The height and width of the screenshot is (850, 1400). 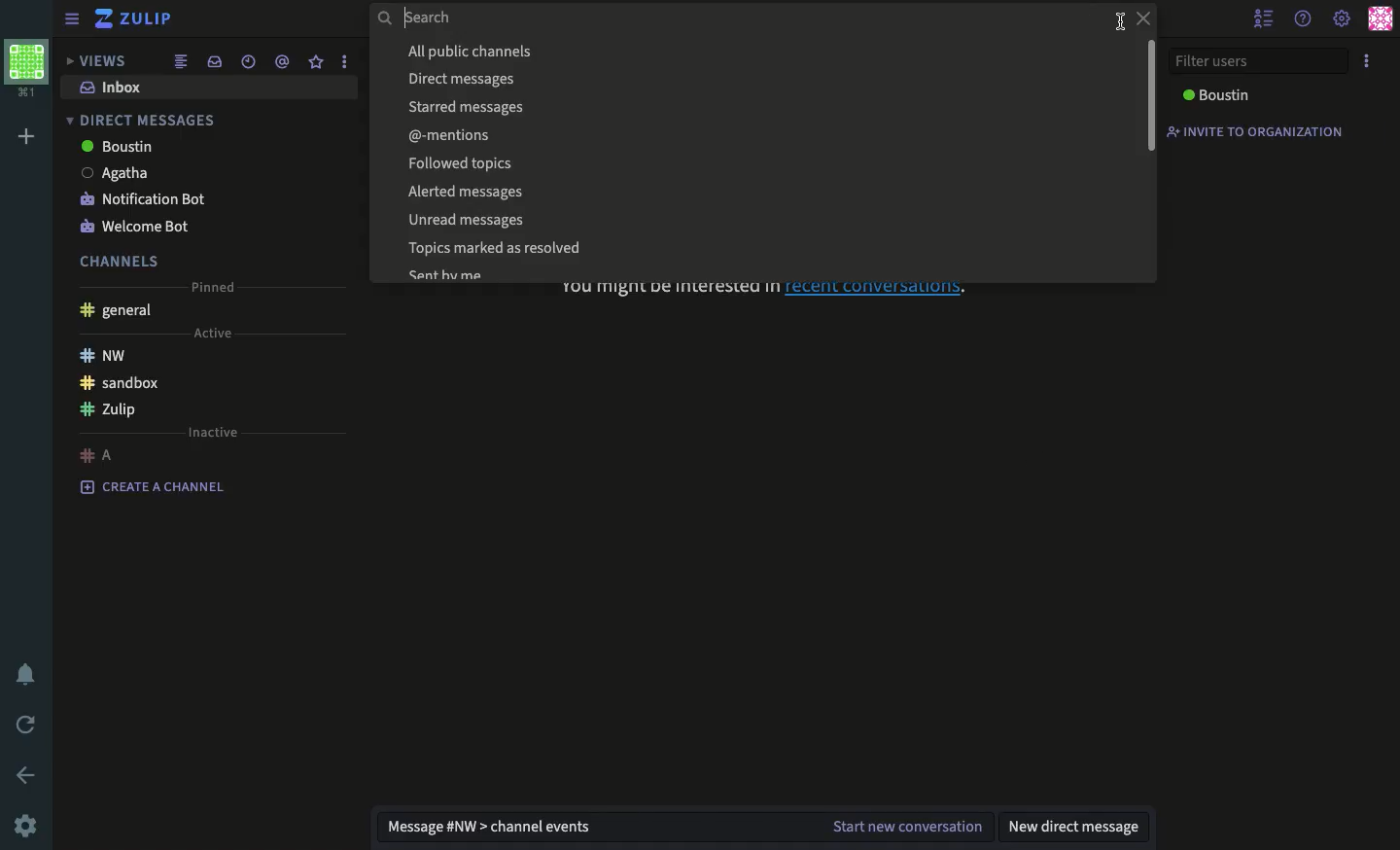 I want to click on star, so click(x=316, y=60).